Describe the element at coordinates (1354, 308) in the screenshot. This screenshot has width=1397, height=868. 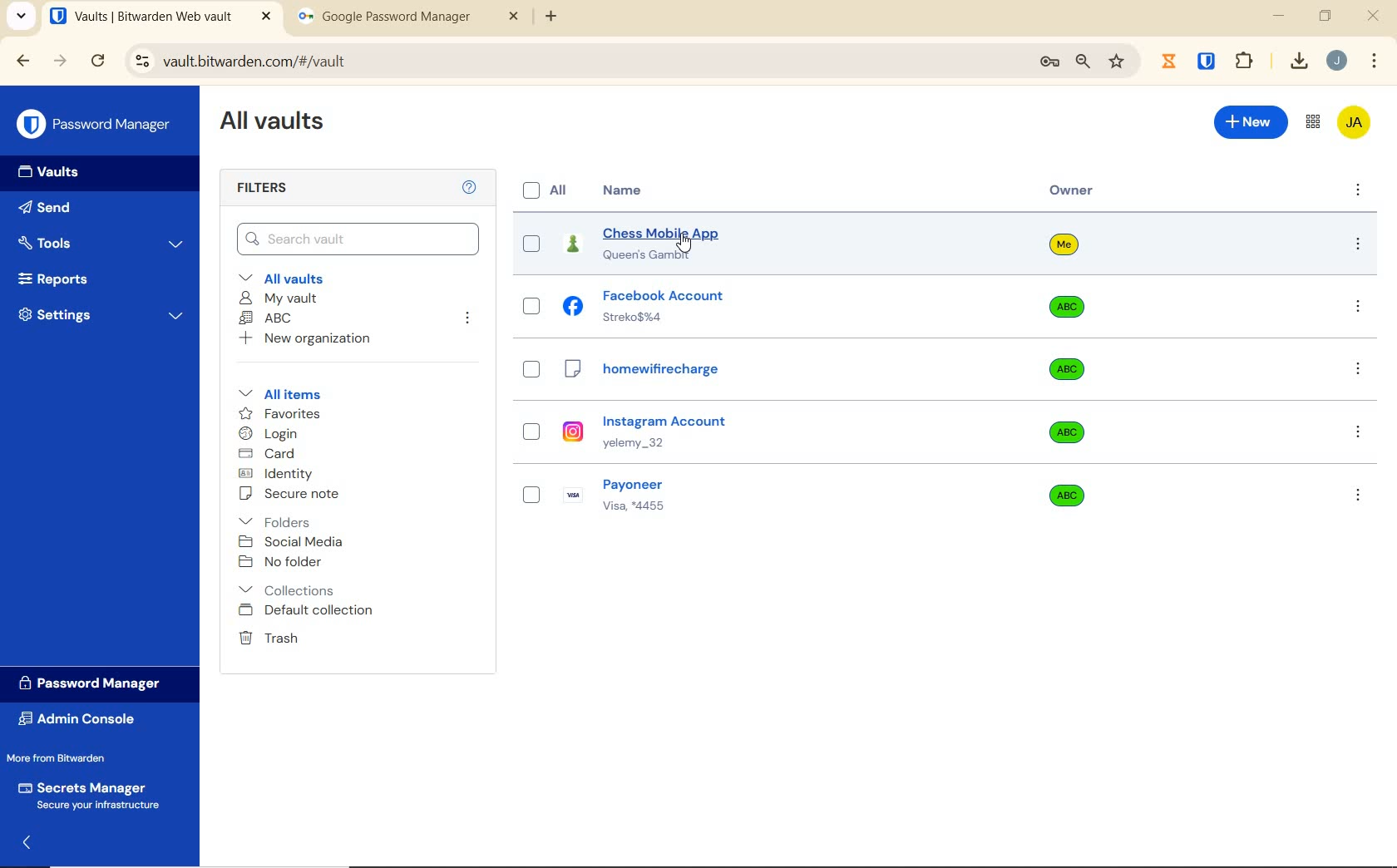
I see `more options` at that location.